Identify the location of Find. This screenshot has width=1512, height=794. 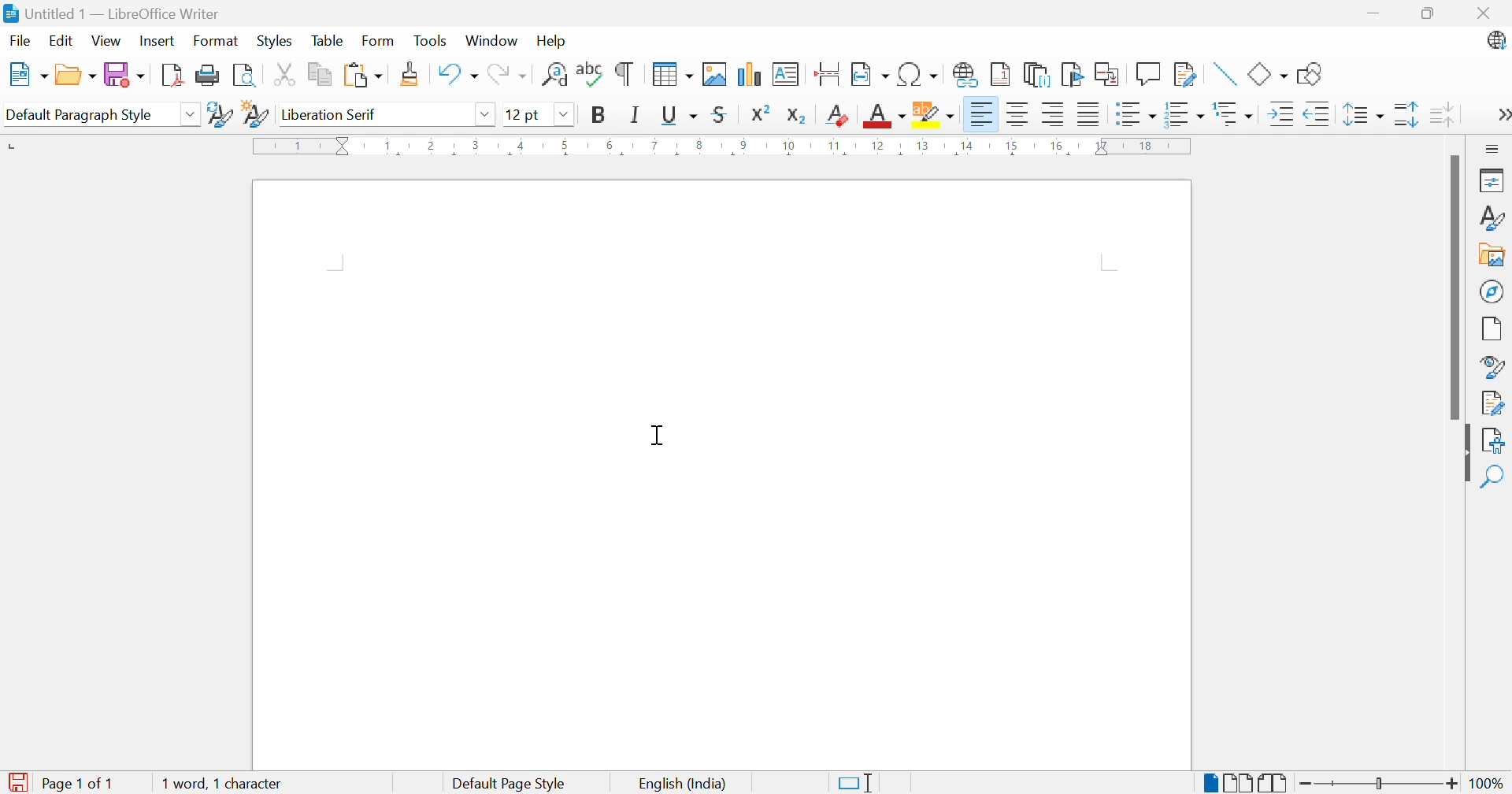
(1495, 477).